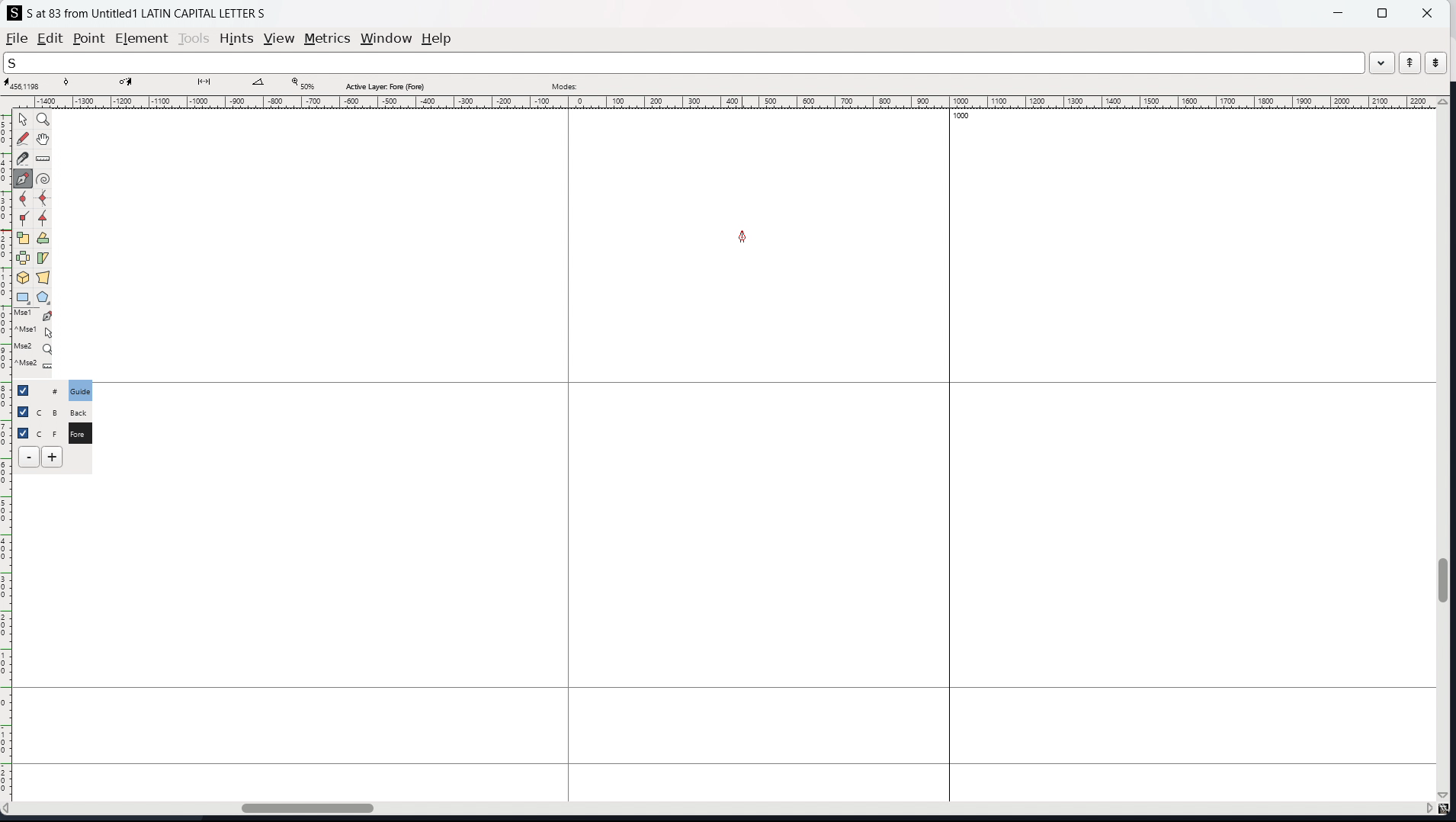 Image resolution: width=1456 pixels, height=822 pixels. Describe the element at coordinates (23, 278) in the screenshot. I see `rotate the selection in 3D and project back to plane ` at that location.